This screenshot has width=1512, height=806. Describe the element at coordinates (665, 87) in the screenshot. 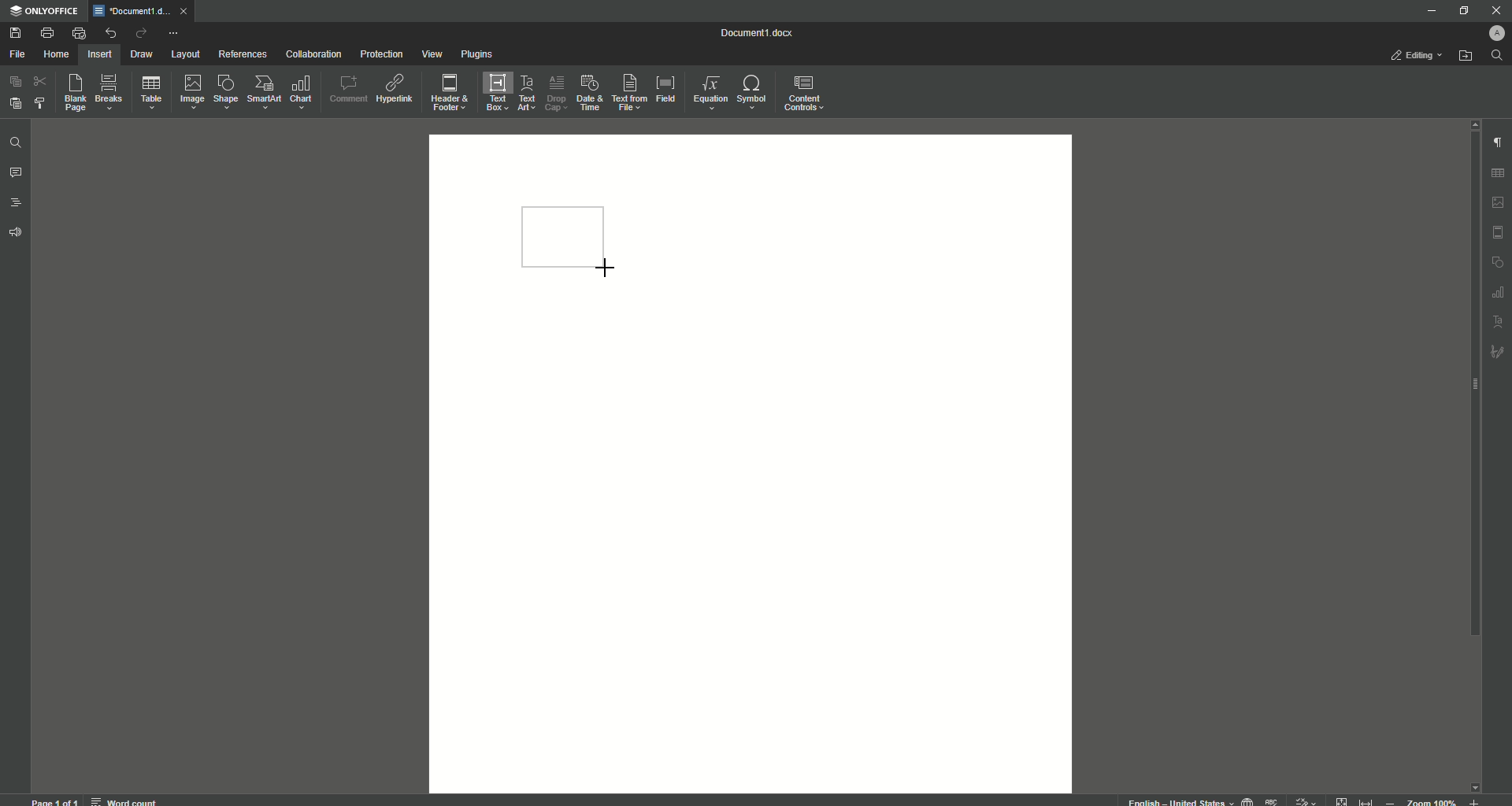

I see `Field` at that location.